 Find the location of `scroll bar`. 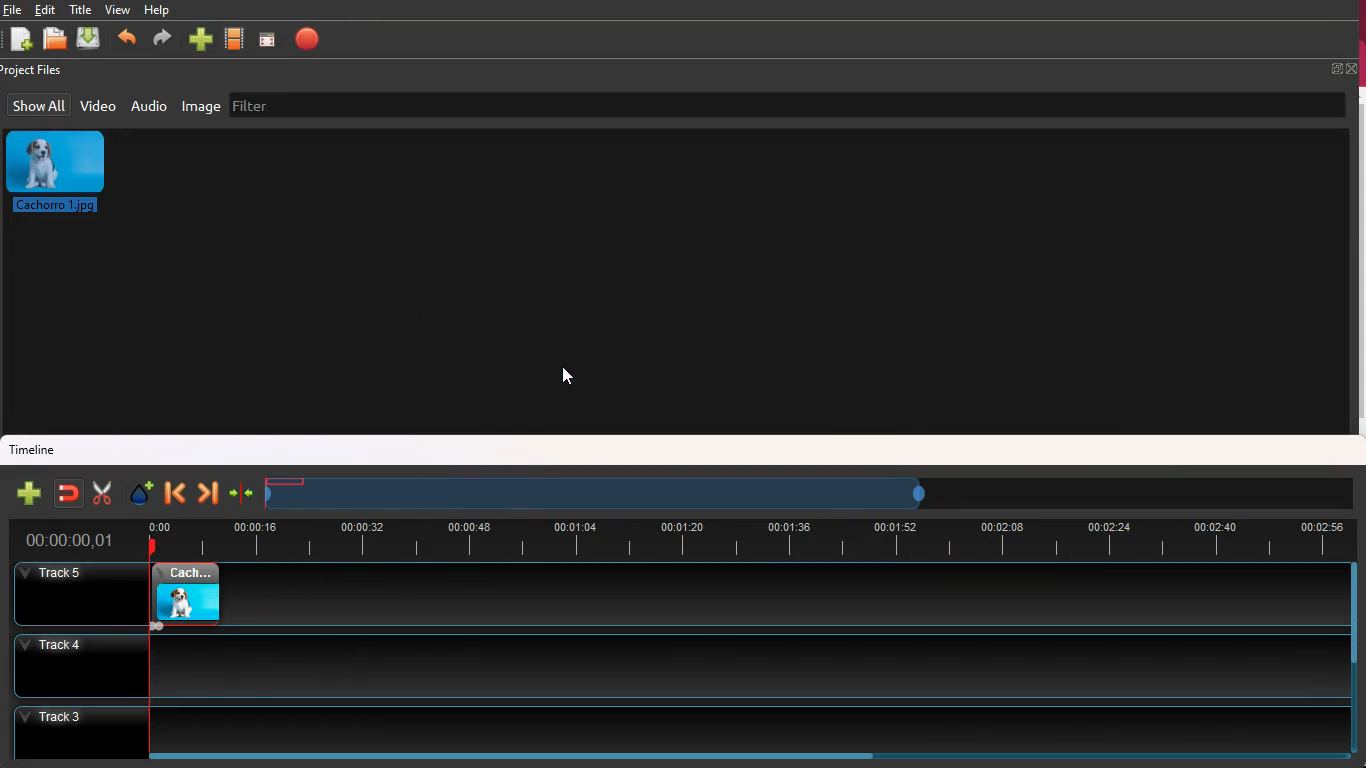

scroll bar is located at coordinates (514, 755).